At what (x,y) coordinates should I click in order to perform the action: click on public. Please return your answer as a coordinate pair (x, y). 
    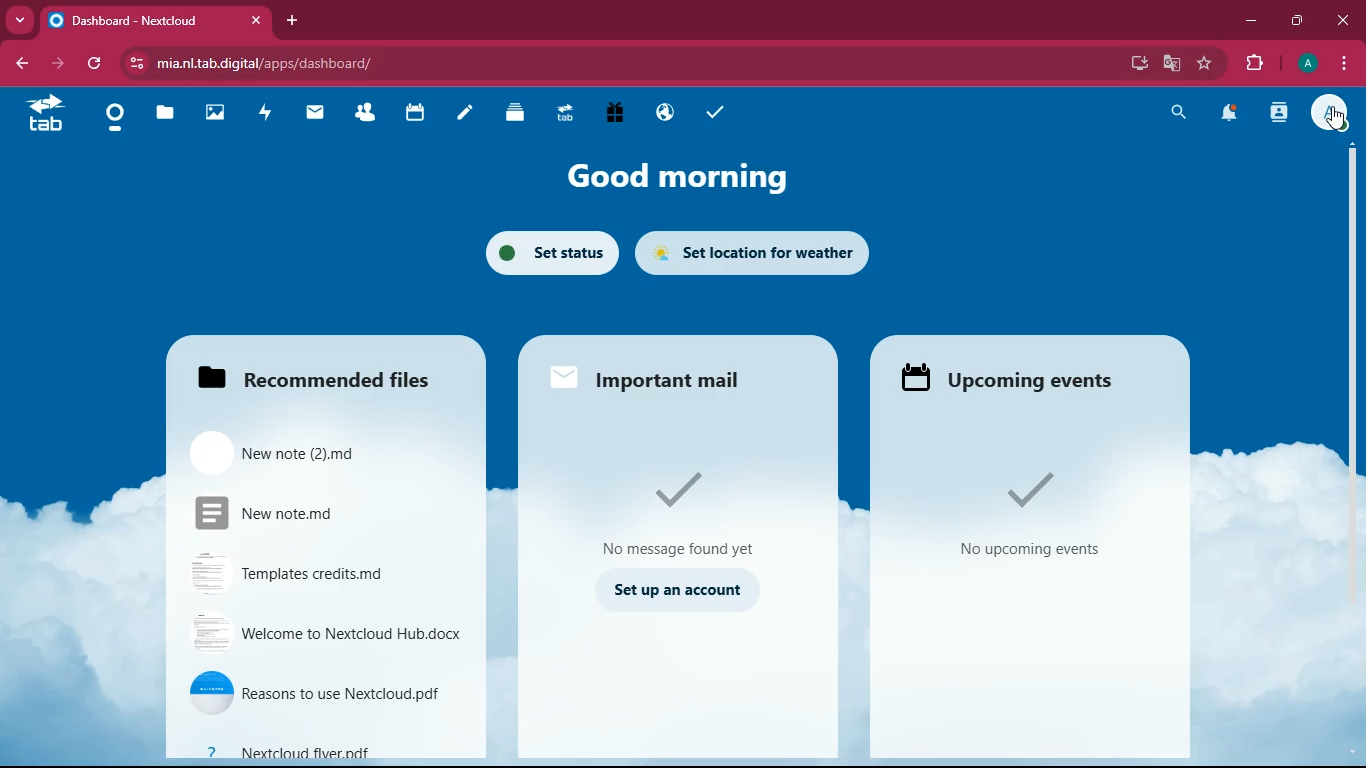
    Looking at the image, I should click on (663, 116).